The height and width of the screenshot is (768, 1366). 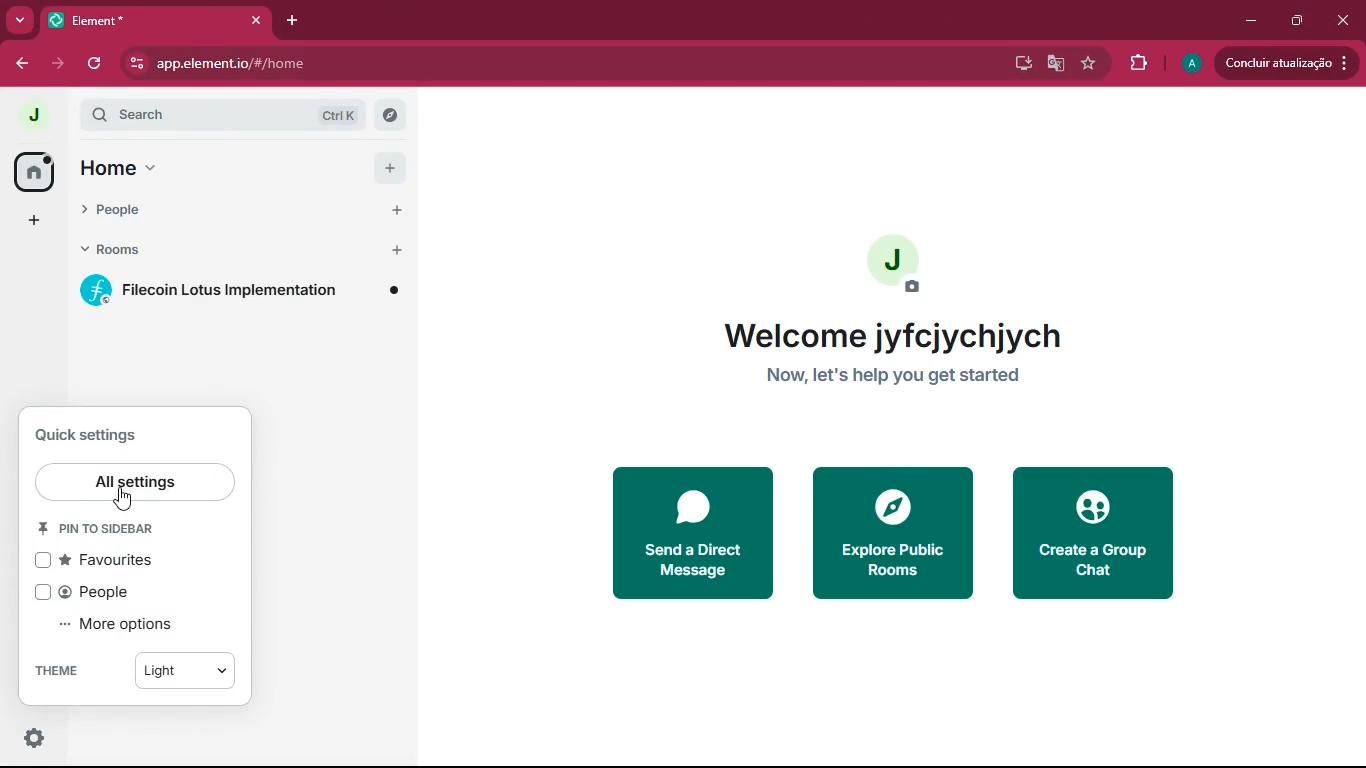 I want to click on quick settings, so click(x=94, y=437).